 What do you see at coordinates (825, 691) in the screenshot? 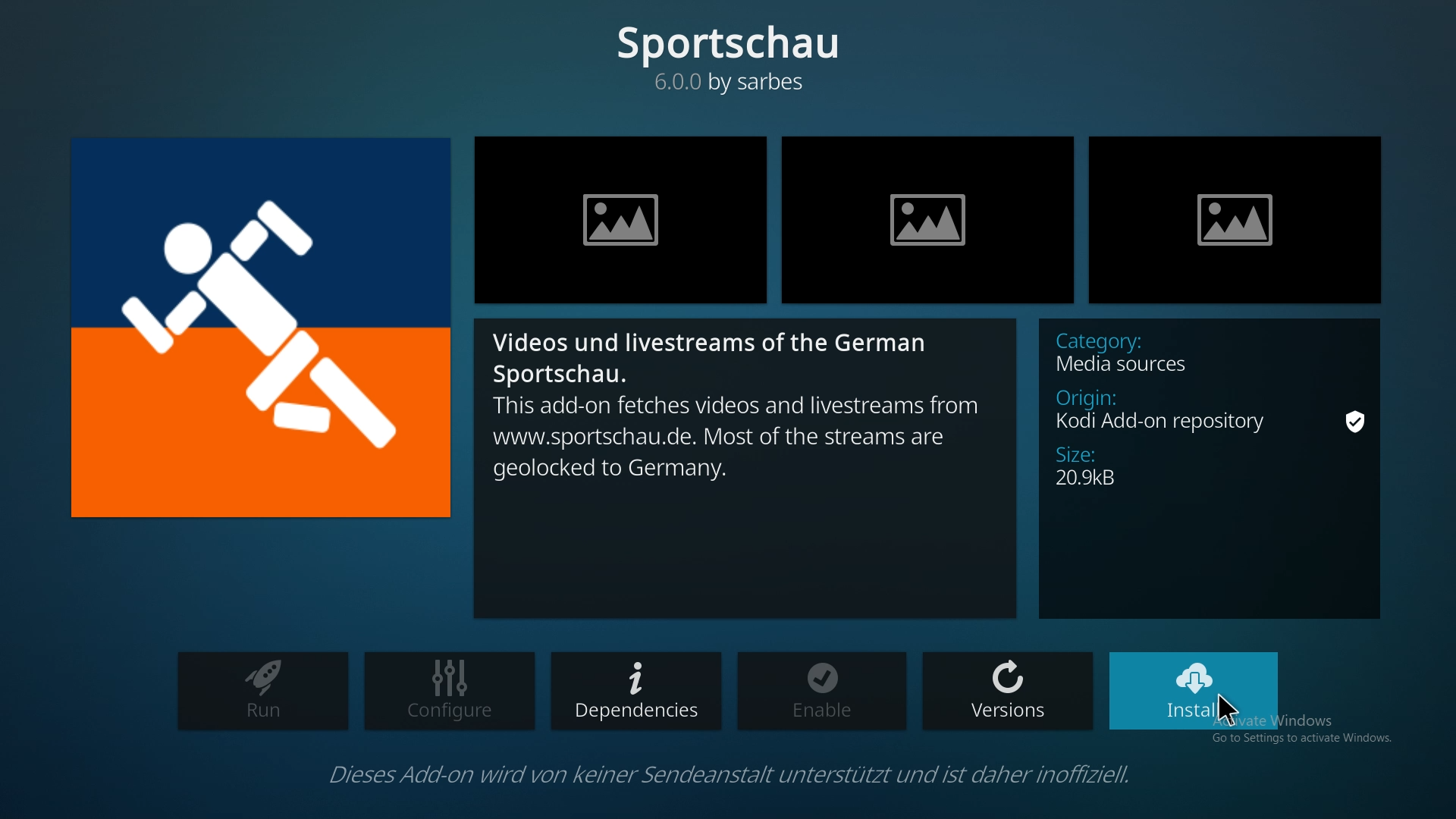
I see `enable` at bounding box center [825, 691].